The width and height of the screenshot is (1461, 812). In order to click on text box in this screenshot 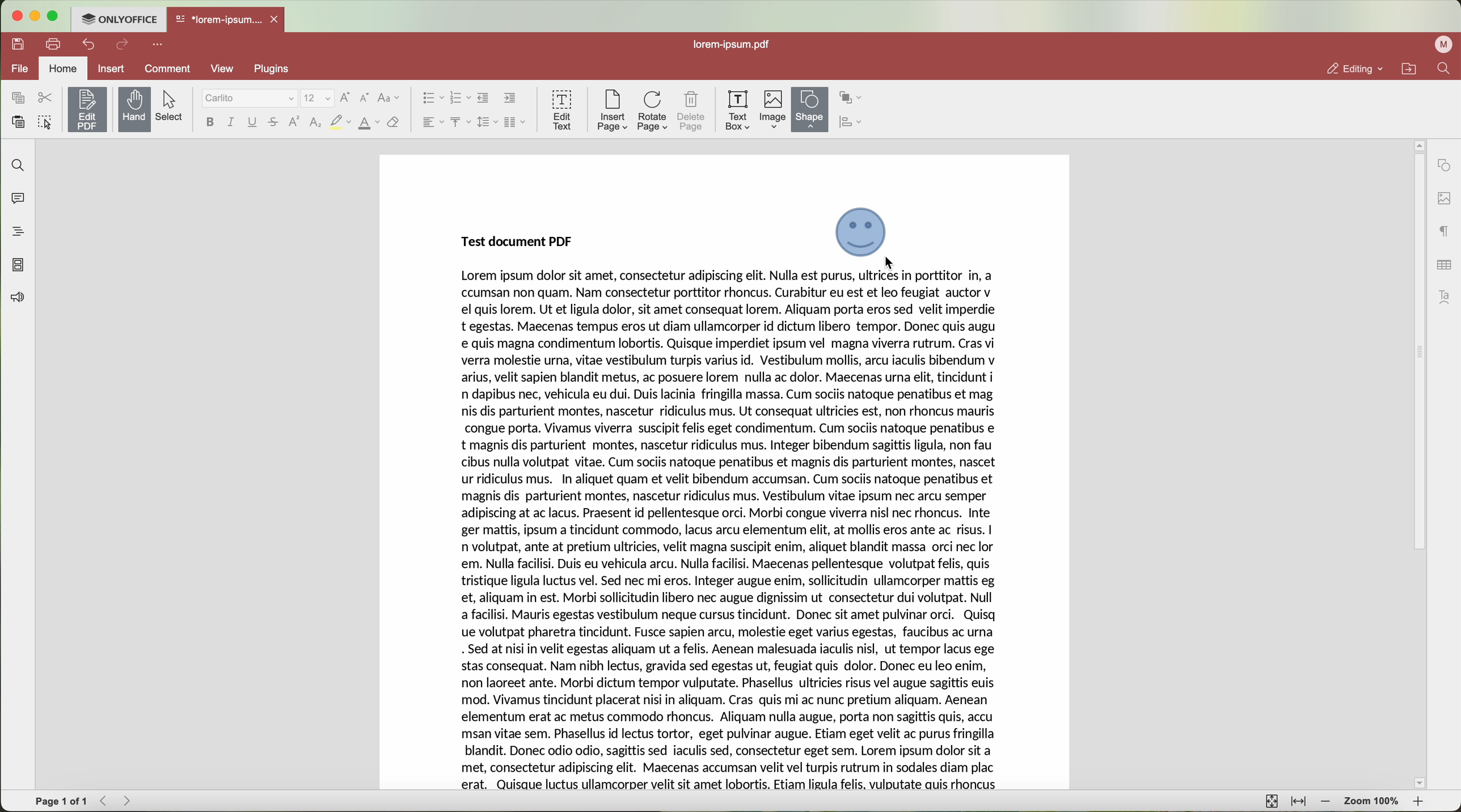, I will do `click(737, 109)`.